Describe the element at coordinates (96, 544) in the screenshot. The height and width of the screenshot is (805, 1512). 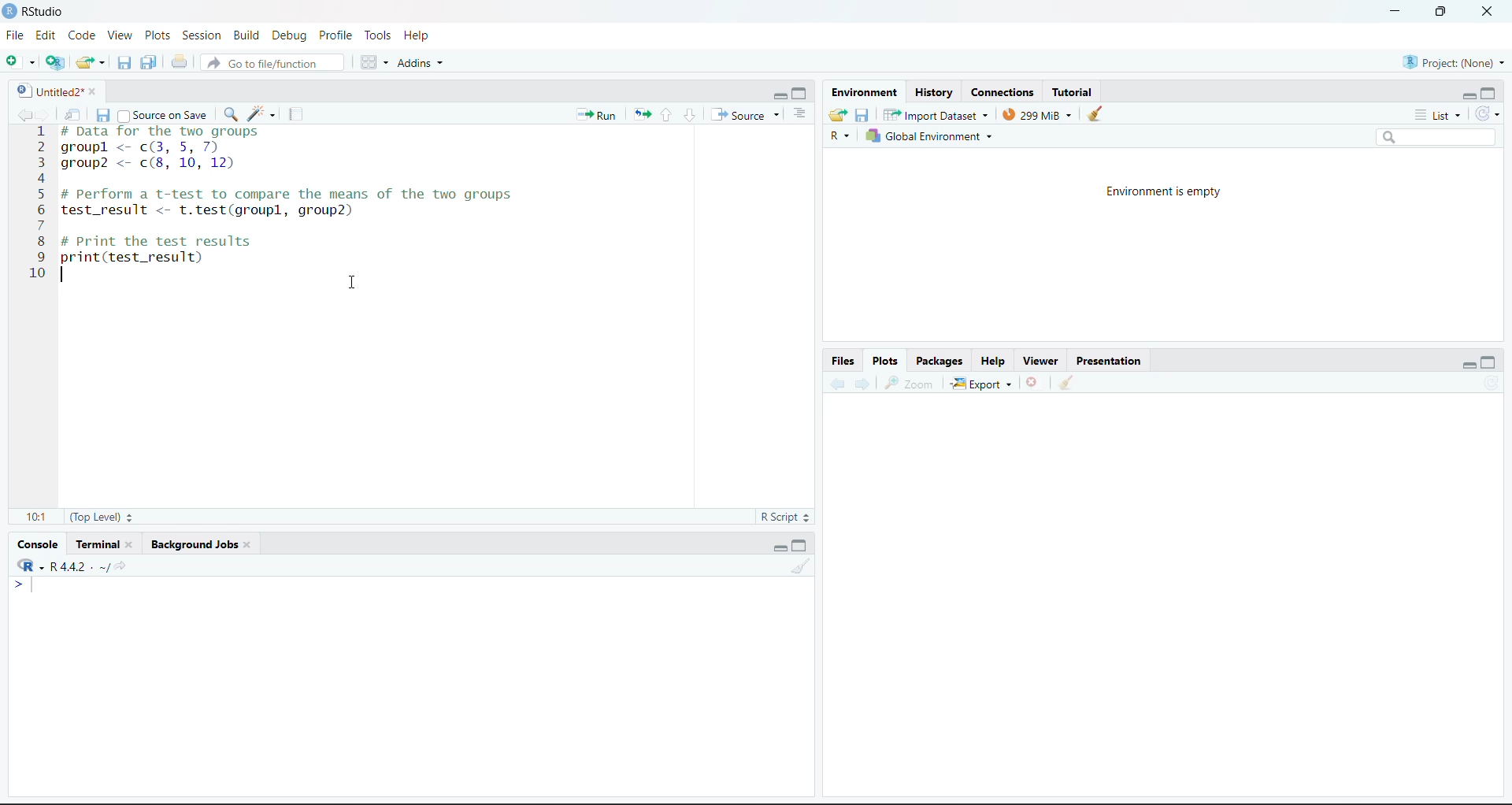
I see `Terminal` at that location.